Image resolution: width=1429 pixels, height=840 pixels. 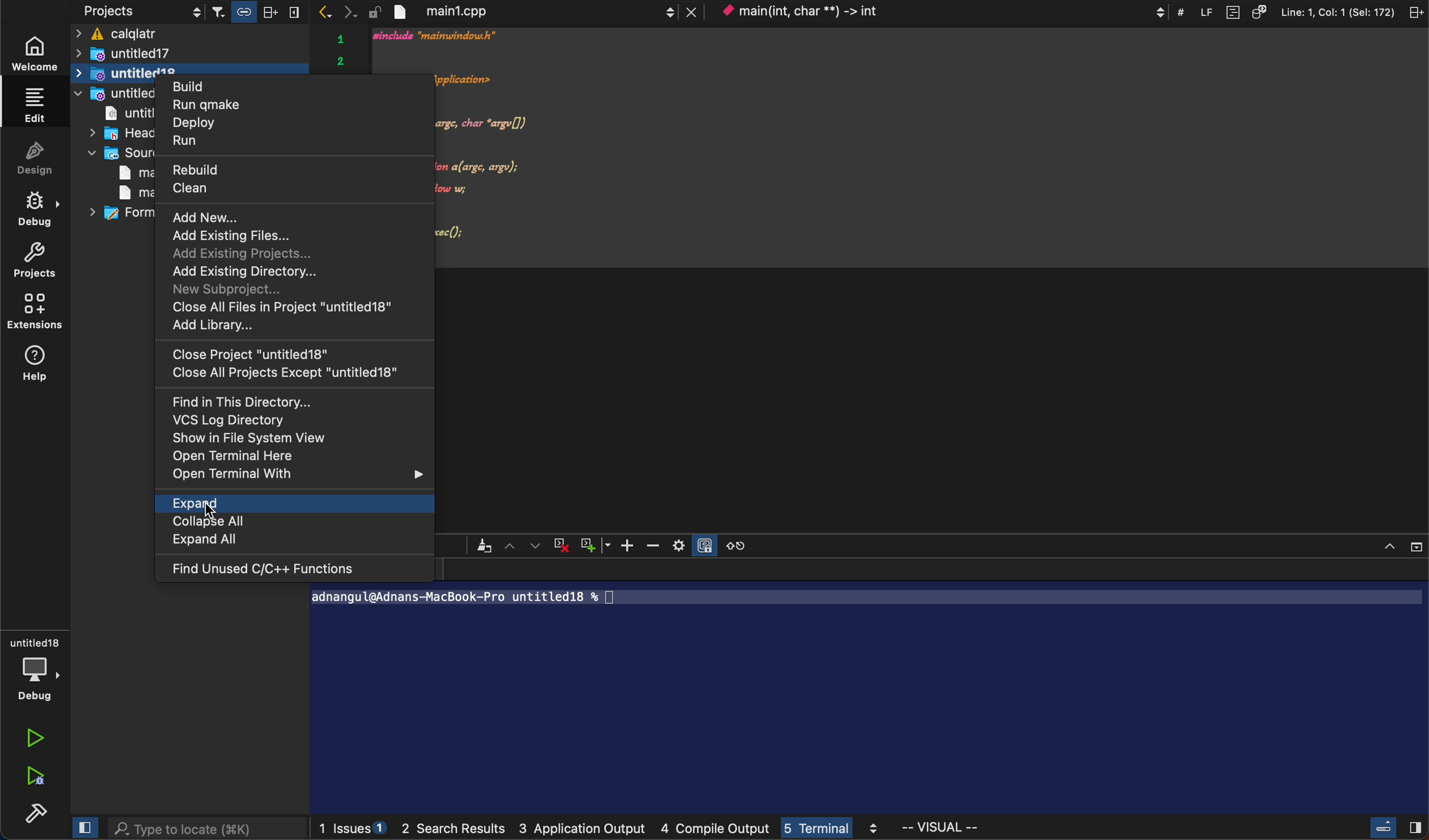 I want to click on add projects, so click(x=241, y=254).